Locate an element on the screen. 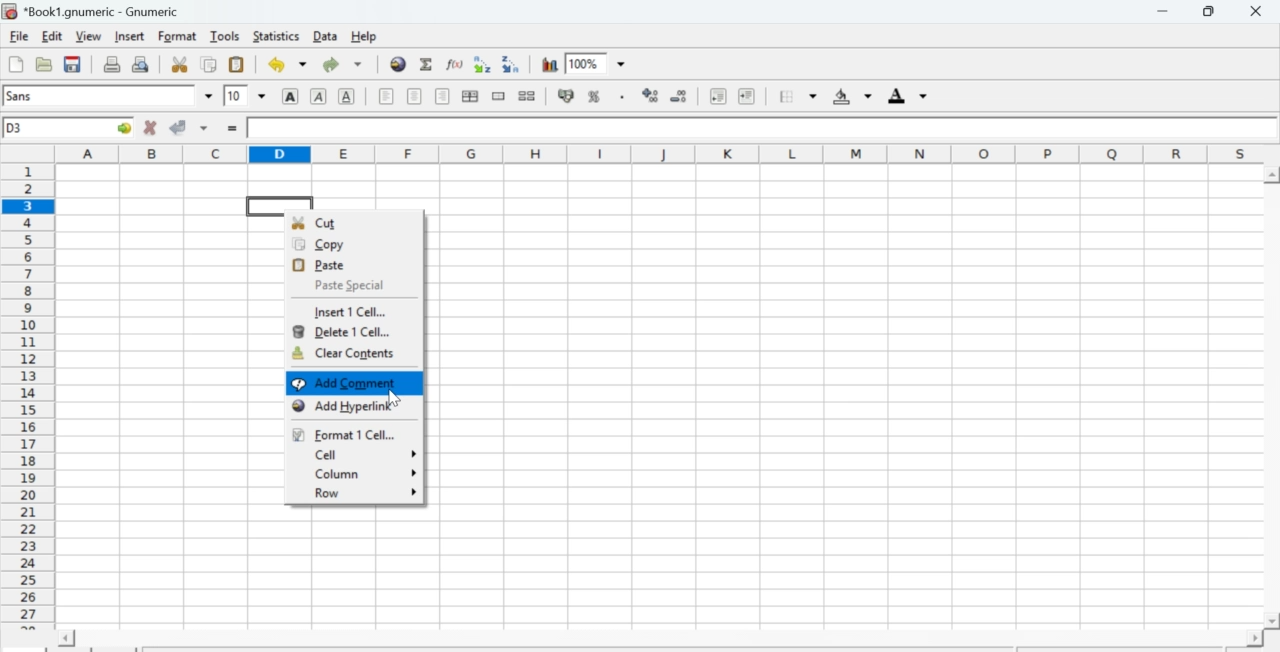  Font Size is located at coordinates (244, 95).